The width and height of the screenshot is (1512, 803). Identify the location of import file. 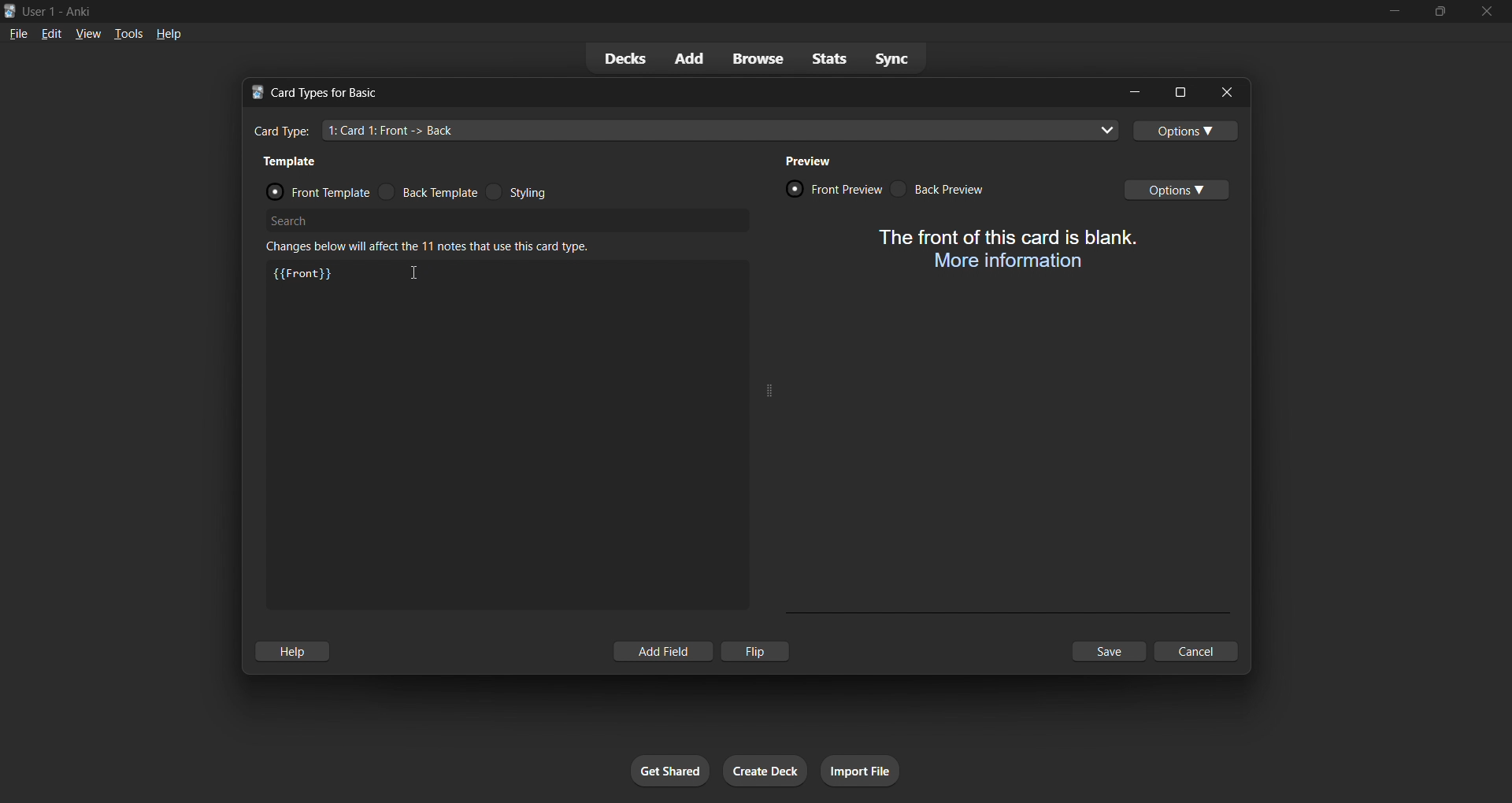
(865, 772).